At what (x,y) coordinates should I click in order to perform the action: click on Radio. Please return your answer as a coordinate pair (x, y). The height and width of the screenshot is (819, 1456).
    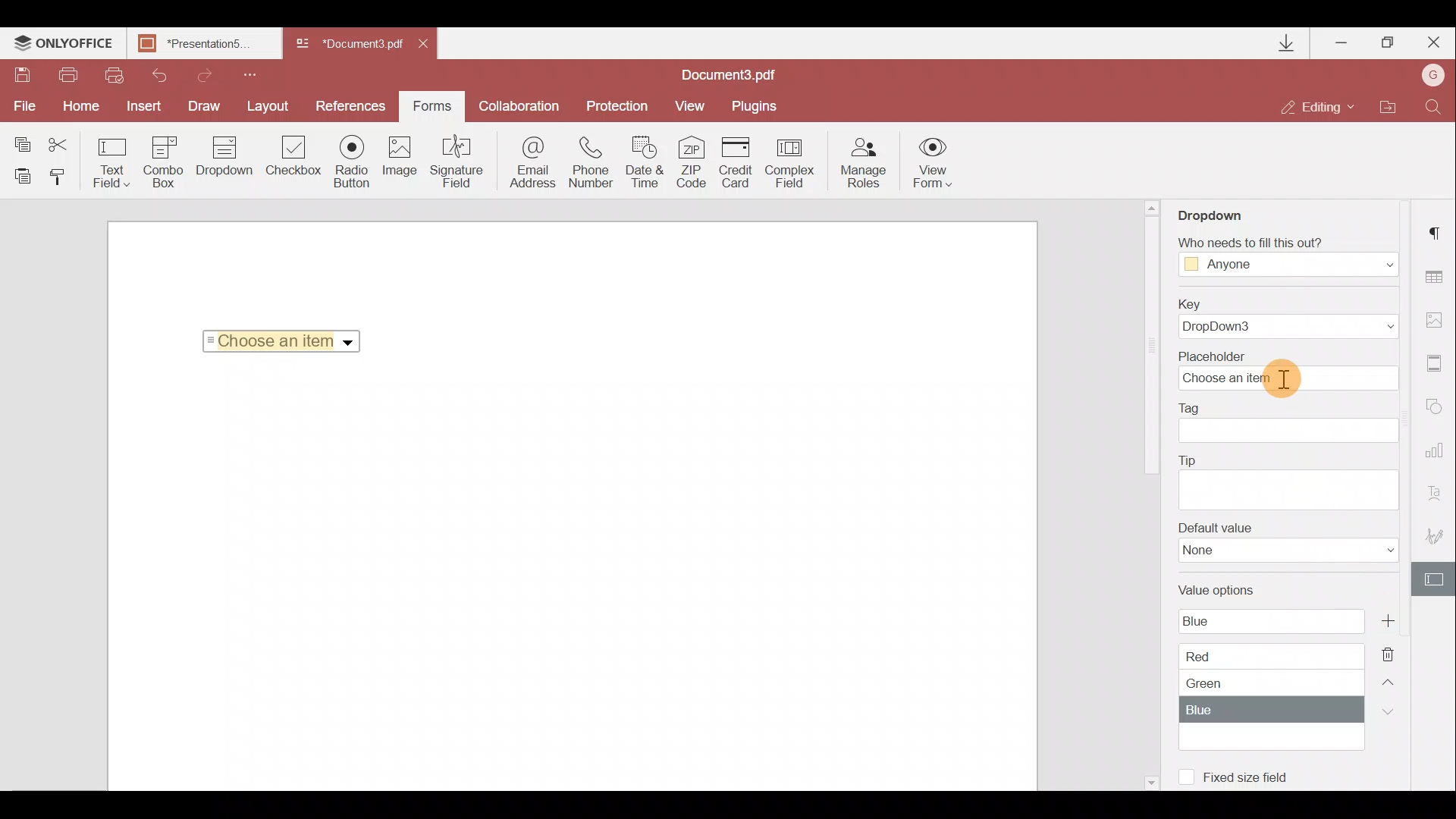
    Looking at the image, I should click on (354, 162).